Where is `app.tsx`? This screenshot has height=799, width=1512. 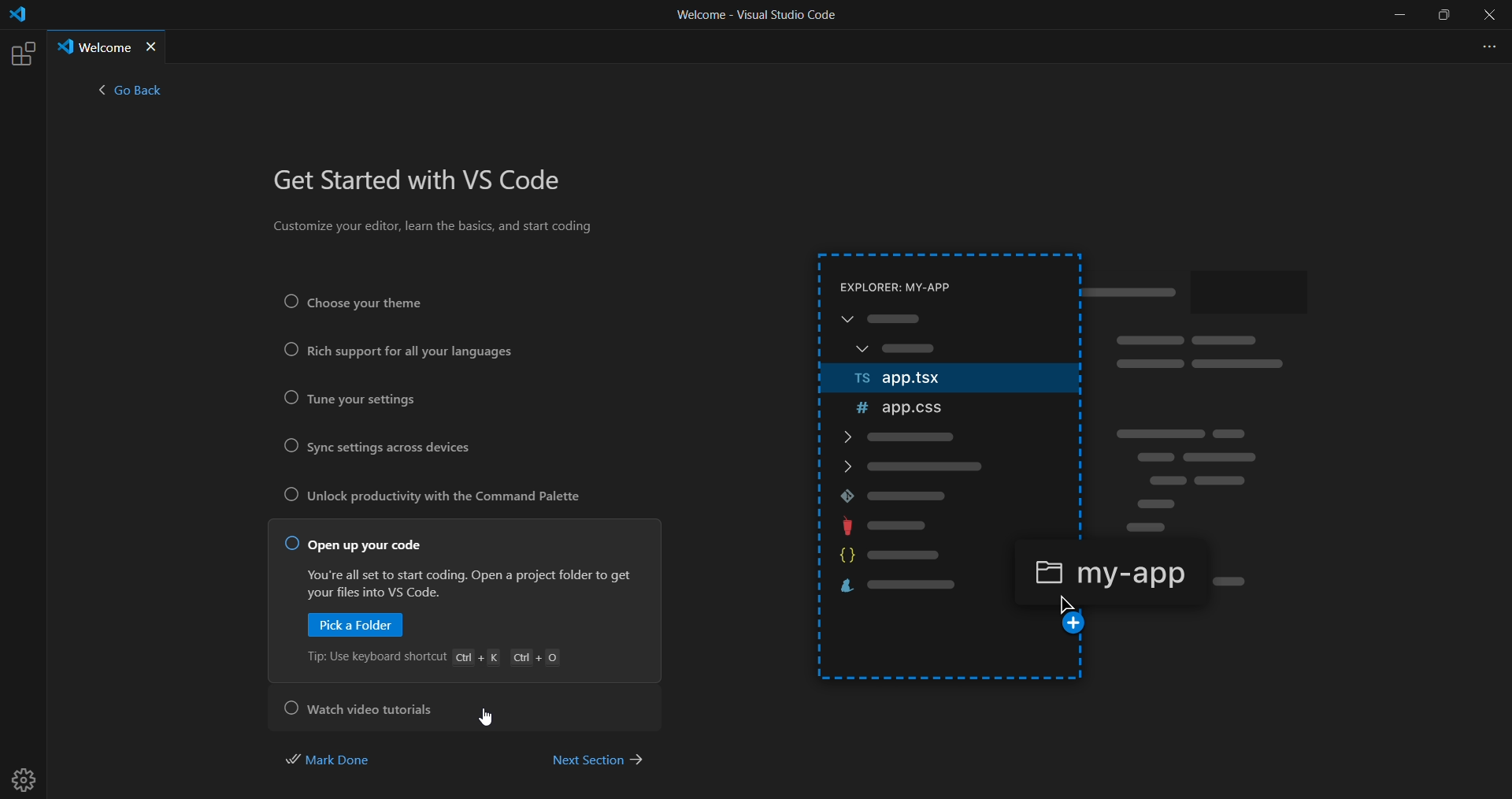
app.tsx is located at coordinates (939, 380).